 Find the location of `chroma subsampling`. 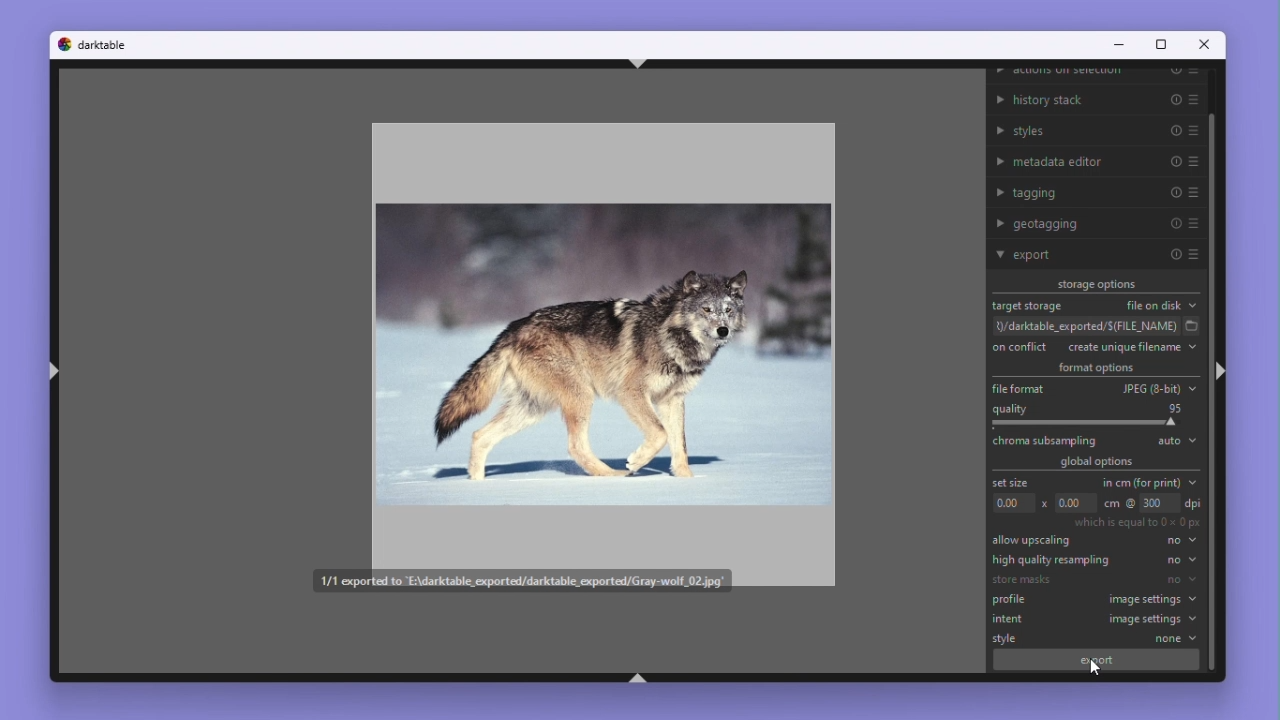

chroma subsampling is located at coordinates (1047, 441).